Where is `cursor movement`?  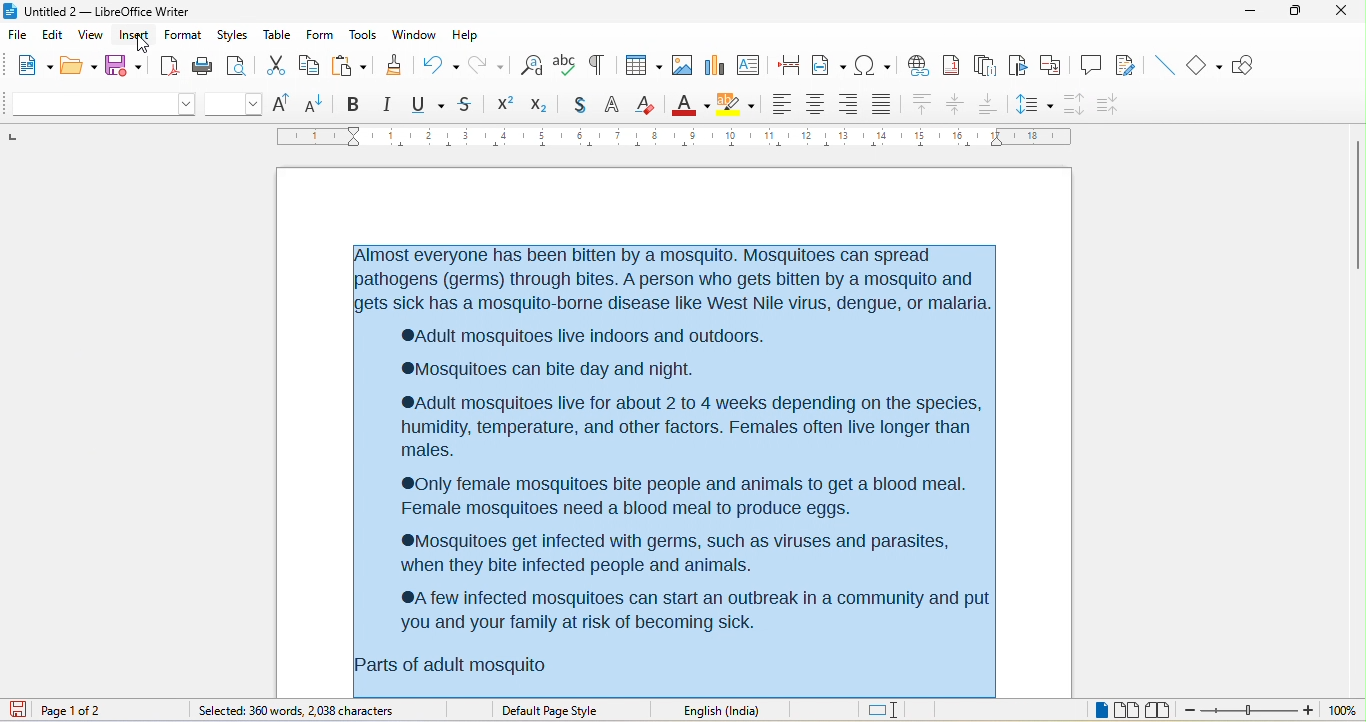
cursor movement is located at coordinates (141, 45).